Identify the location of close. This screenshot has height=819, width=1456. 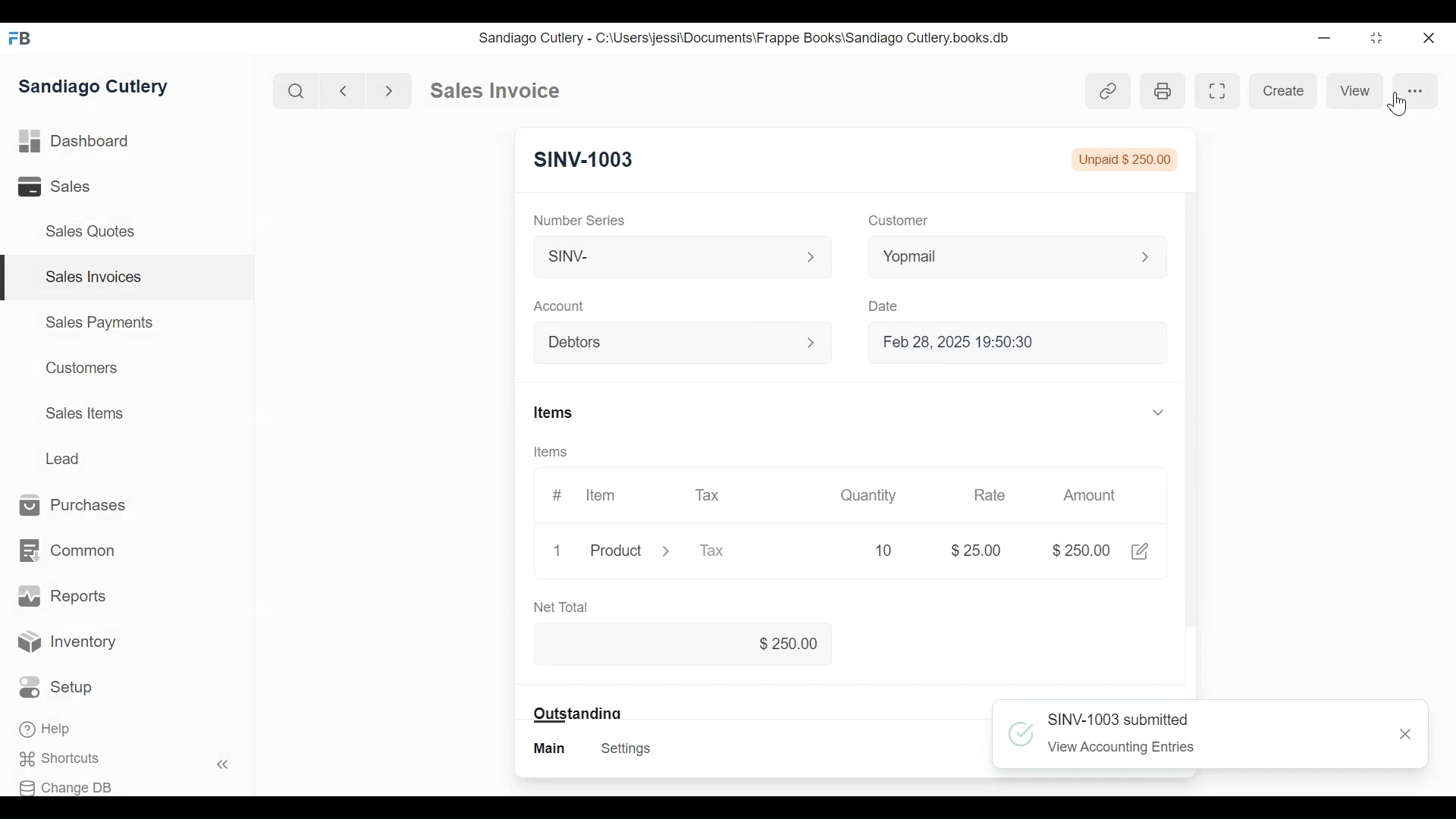
(1430, 39).